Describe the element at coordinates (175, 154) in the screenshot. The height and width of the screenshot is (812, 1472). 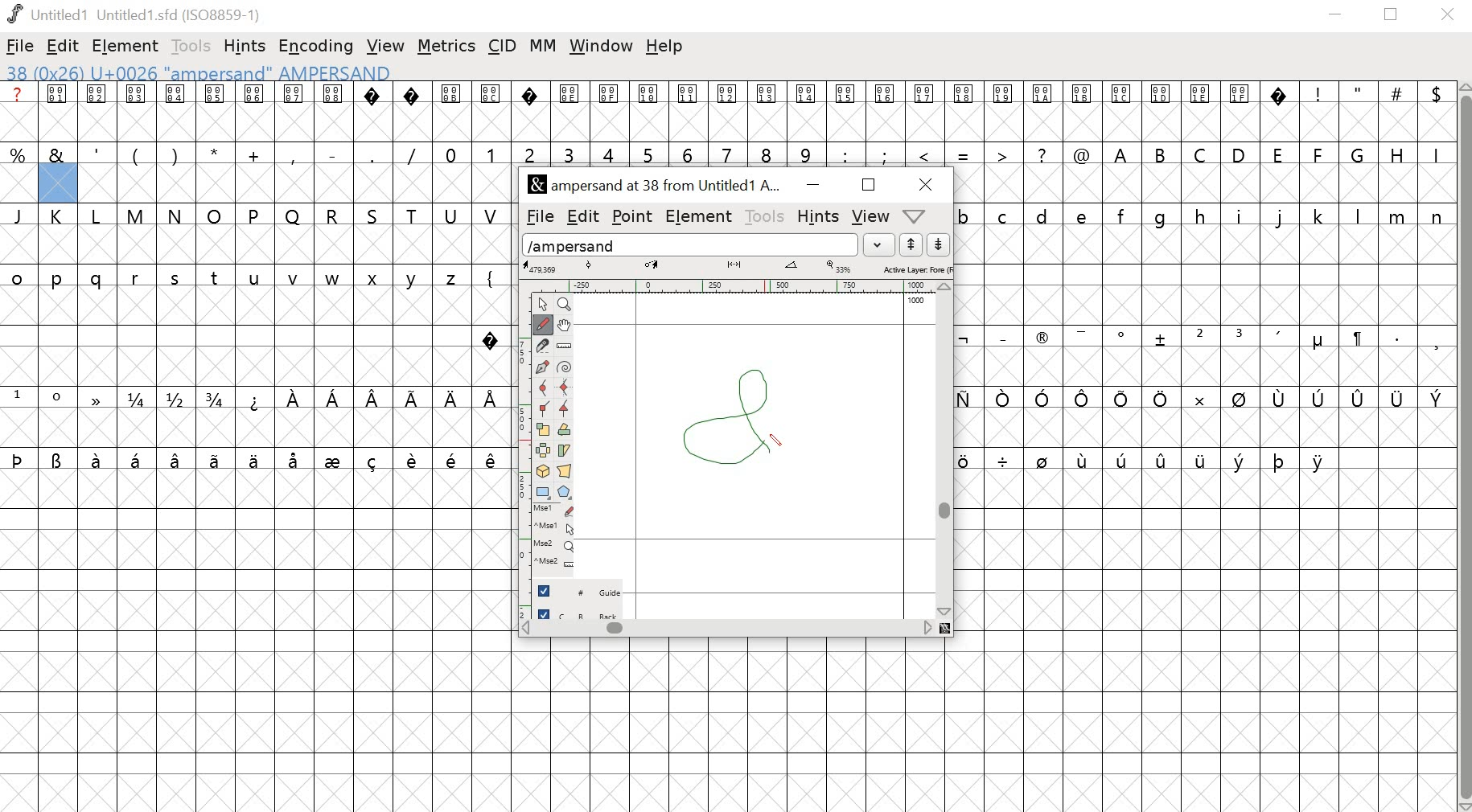
I see `)` at that location.